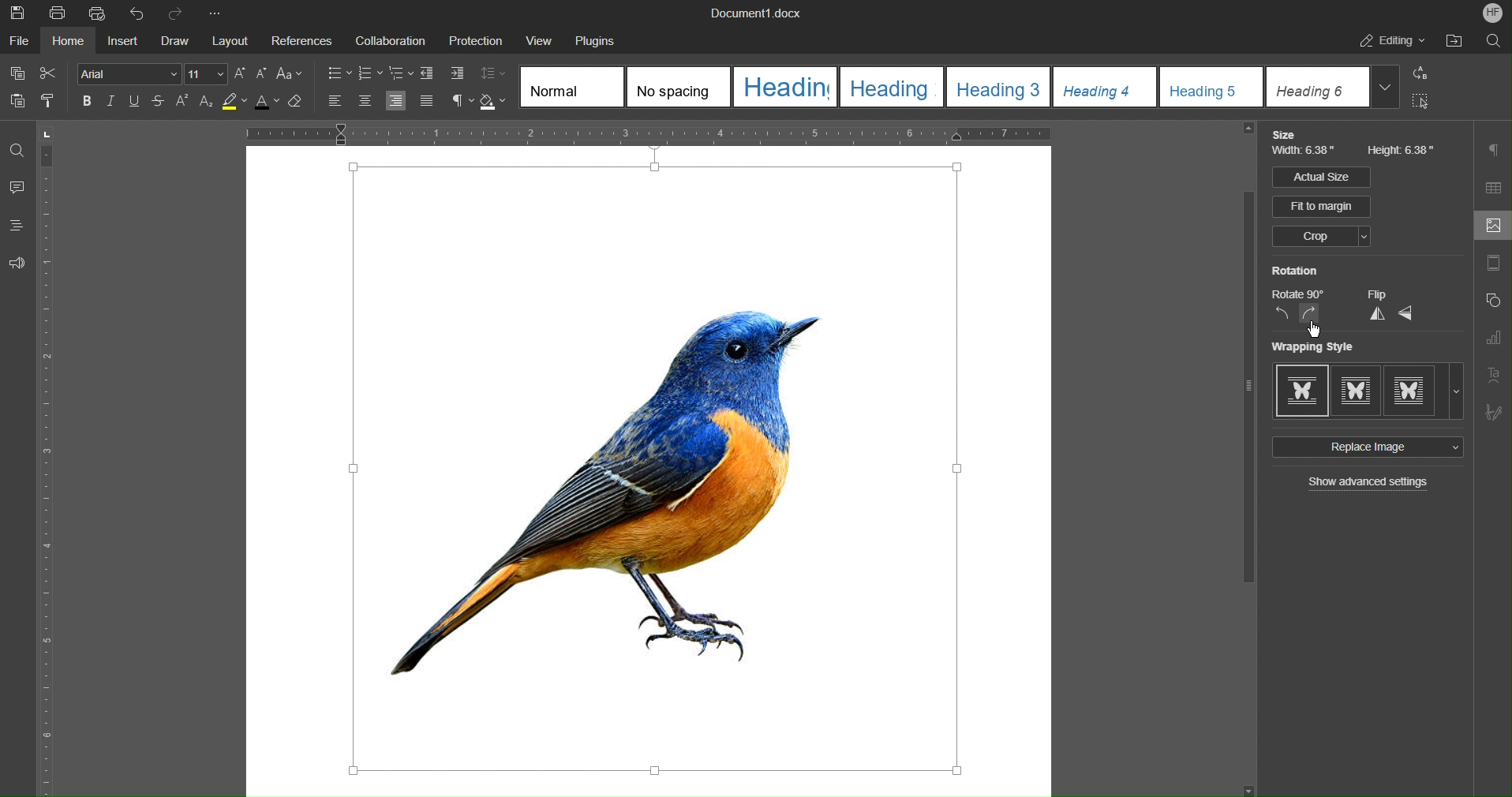 The height and width of the screenshot is (797, 1512). Describe the element at coordinates (1211, 85) in the screenshot. I see `Heading 5` at that location.